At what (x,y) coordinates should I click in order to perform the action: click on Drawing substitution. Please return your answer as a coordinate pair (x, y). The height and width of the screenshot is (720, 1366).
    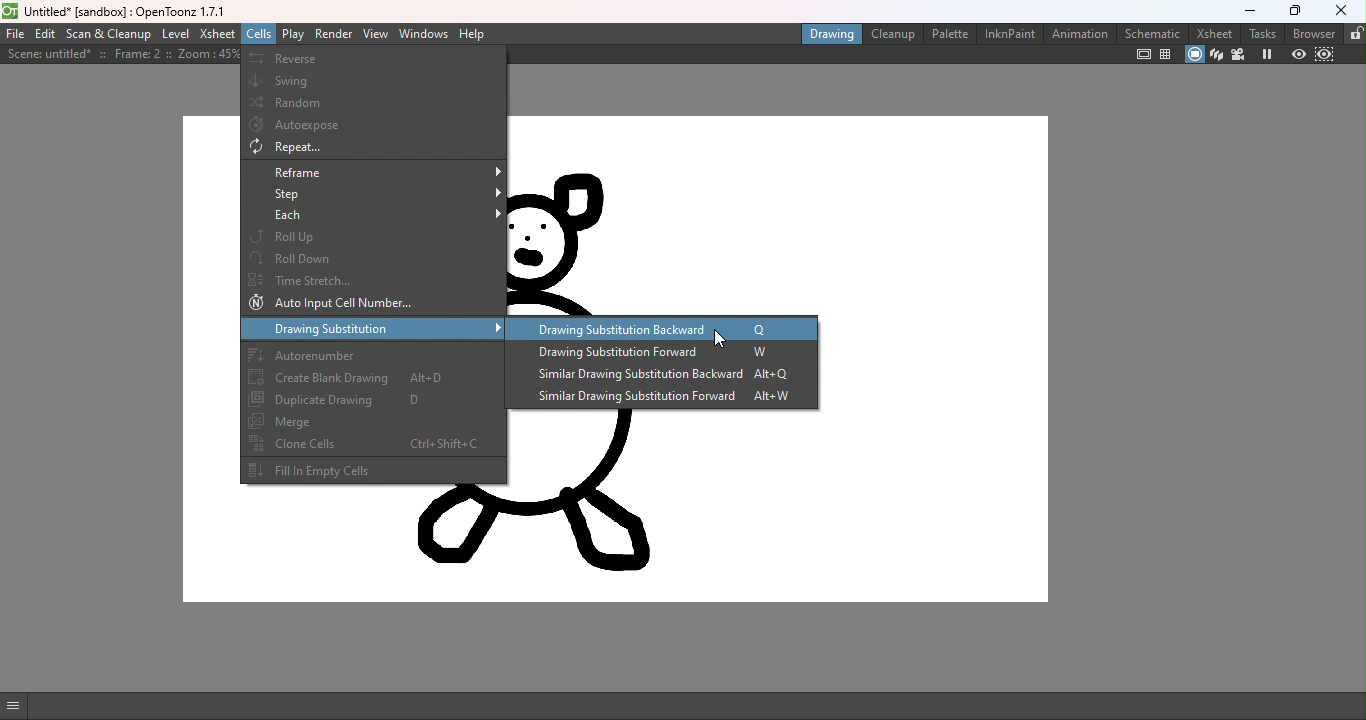
    Looking at the image, I should click on (373, 328).